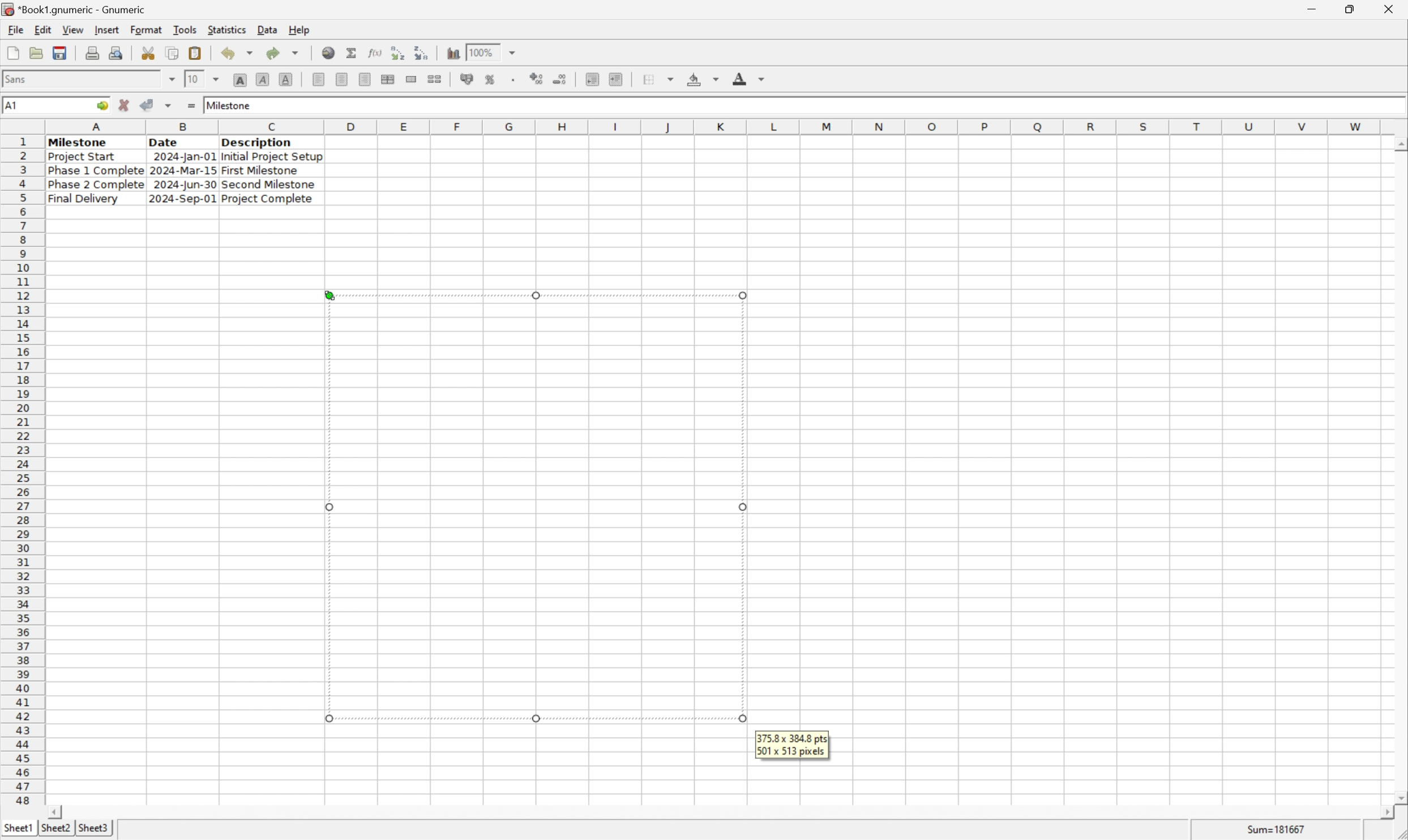 Image resolution: width=1408 pixels, height=840 pixels. Describe the element at coordinates (190, 106) in the screenshot. I see `enter formula` at that location.